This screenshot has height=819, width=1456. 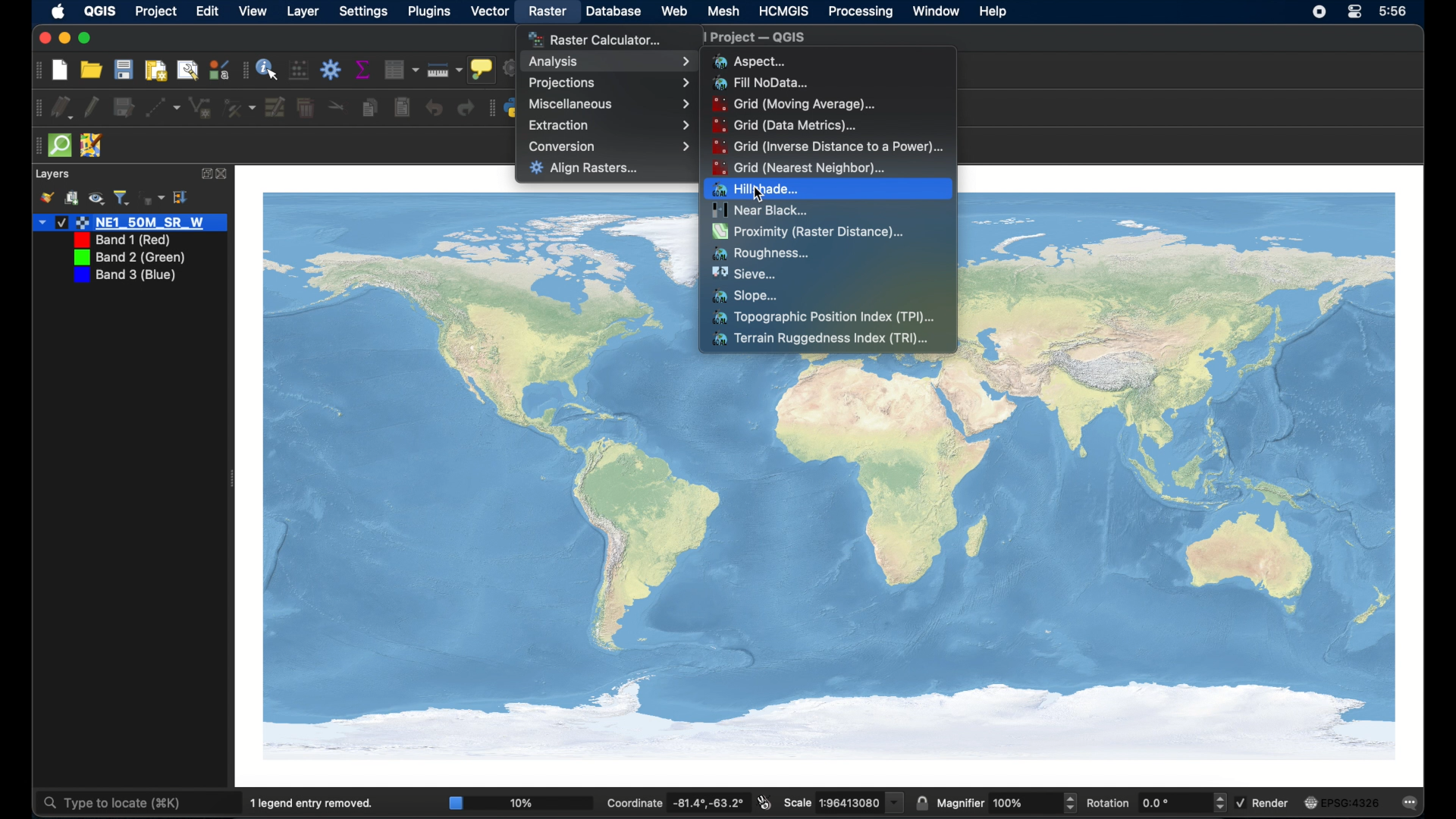 I want to click on close, so click(x=224, y=174).